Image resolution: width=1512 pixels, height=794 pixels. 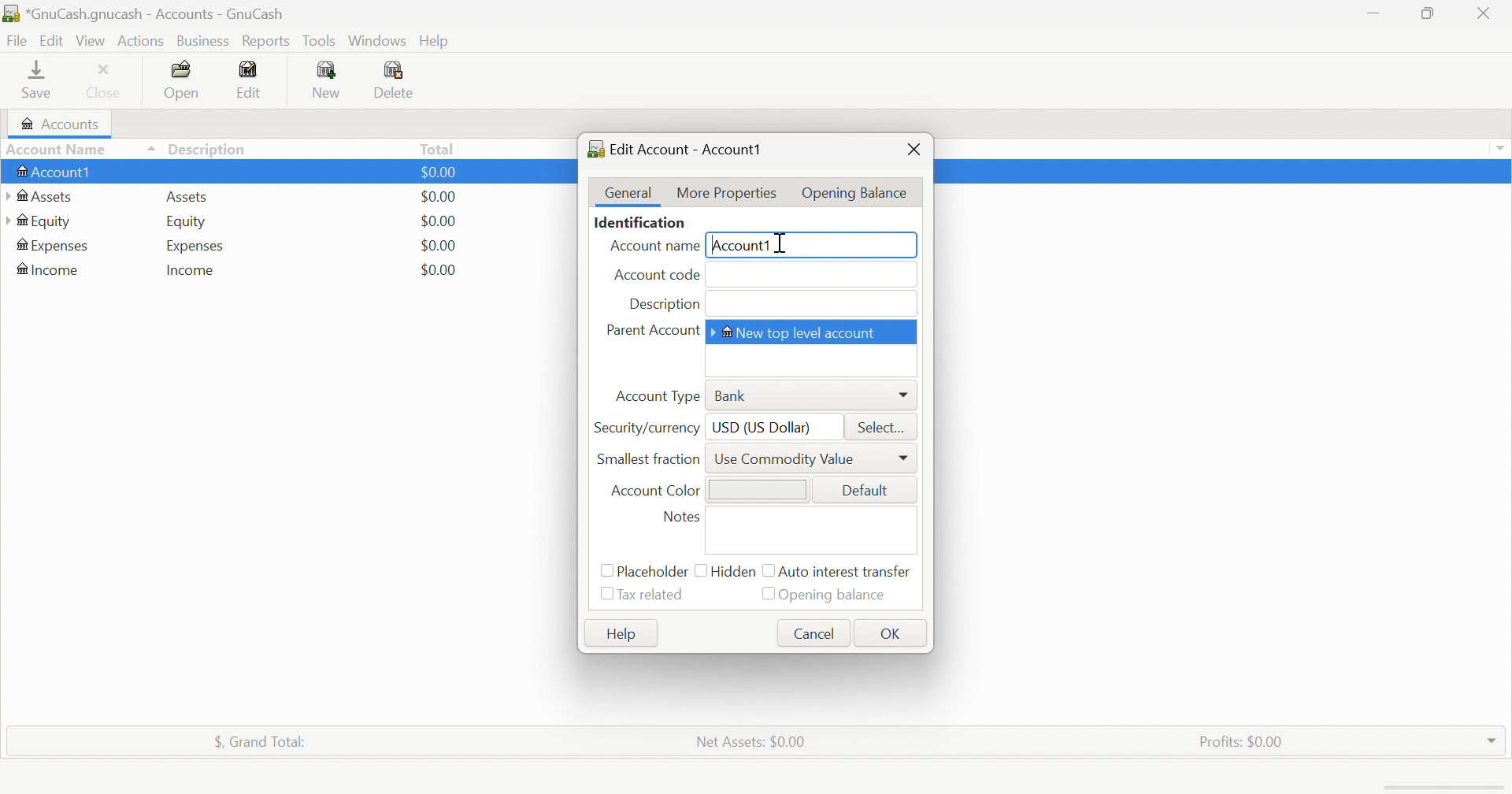 I want to click on Security/currency, so click(x=646, y=429).